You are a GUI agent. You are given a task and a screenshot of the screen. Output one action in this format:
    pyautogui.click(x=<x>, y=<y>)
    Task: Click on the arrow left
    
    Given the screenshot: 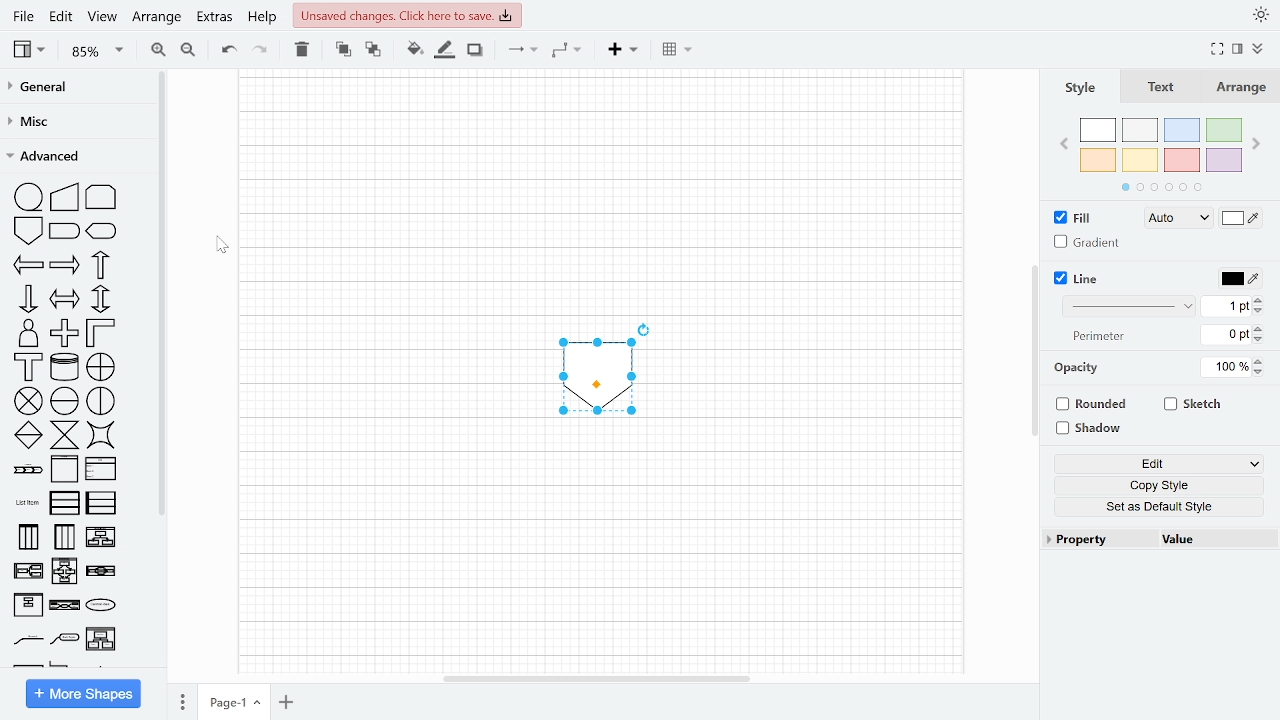 What is the action you would take?
    pyautogui.click(x=28, y=265)
    